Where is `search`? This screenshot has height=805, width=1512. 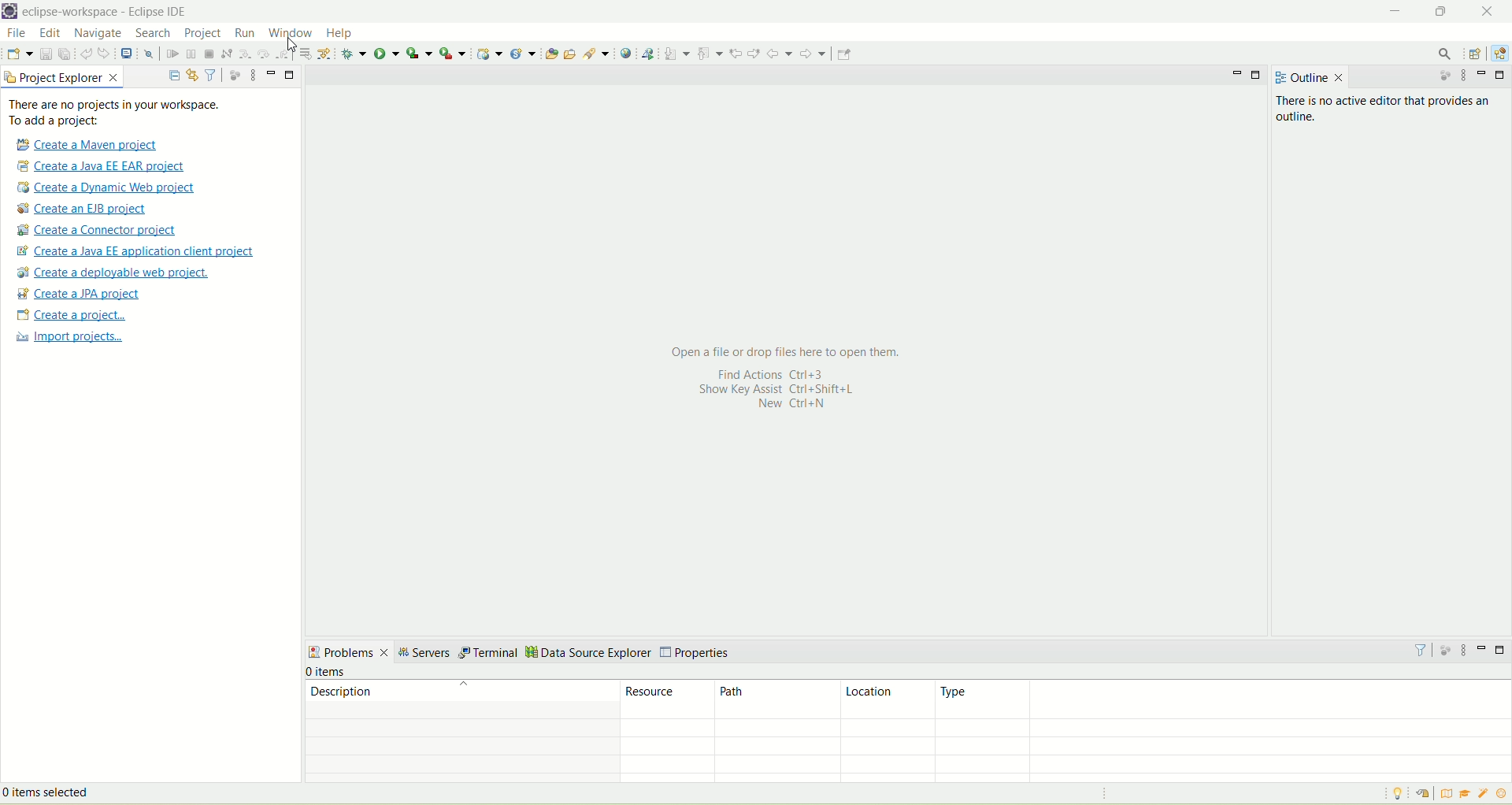 search is located at coordinates (1447, 54).